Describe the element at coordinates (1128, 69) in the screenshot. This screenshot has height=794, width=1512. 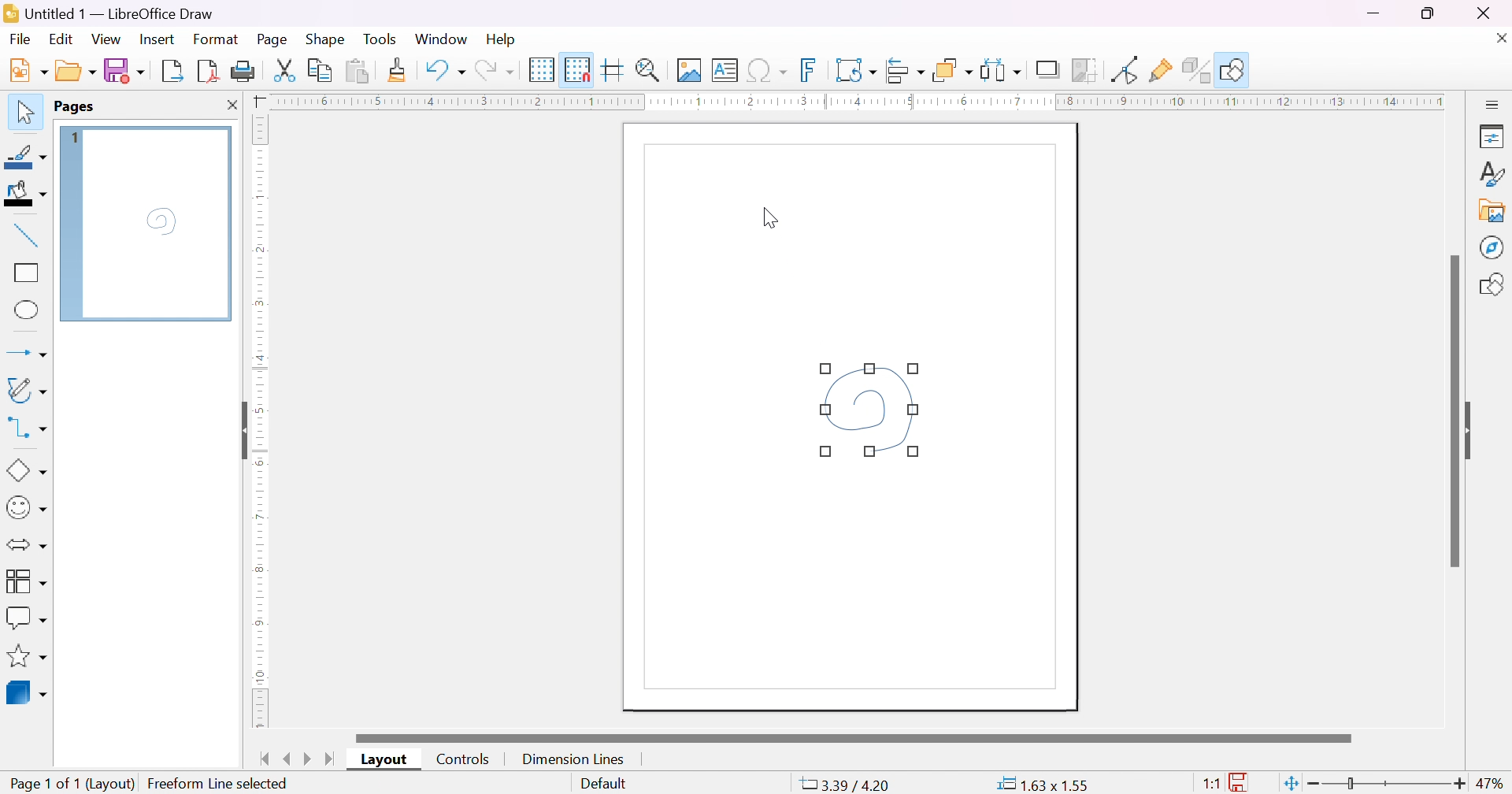
I see `toggle point edit mode` at that location.